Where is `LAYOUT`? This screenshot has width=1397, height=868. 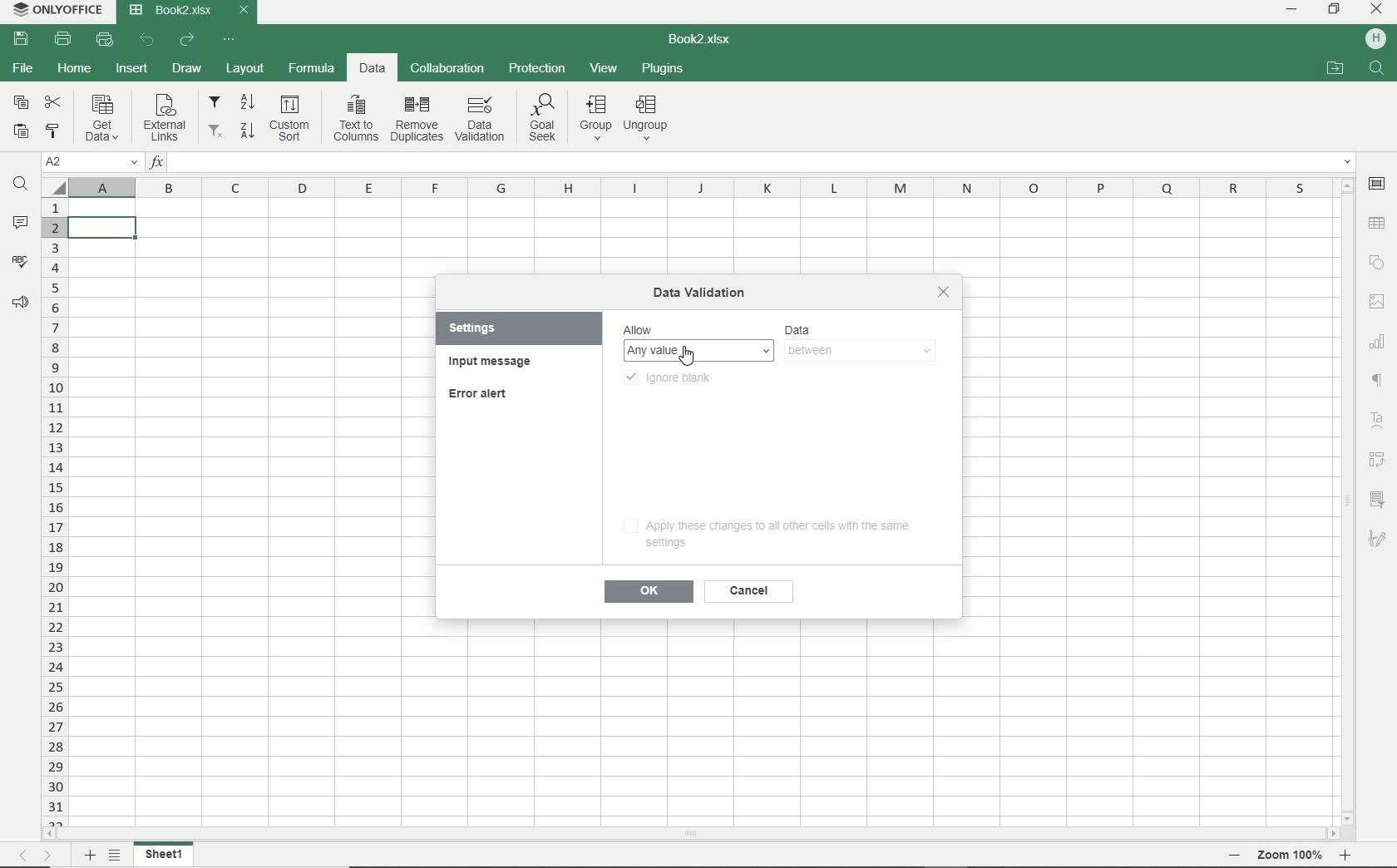 LAYOUT is located at coordinates (245, 68).